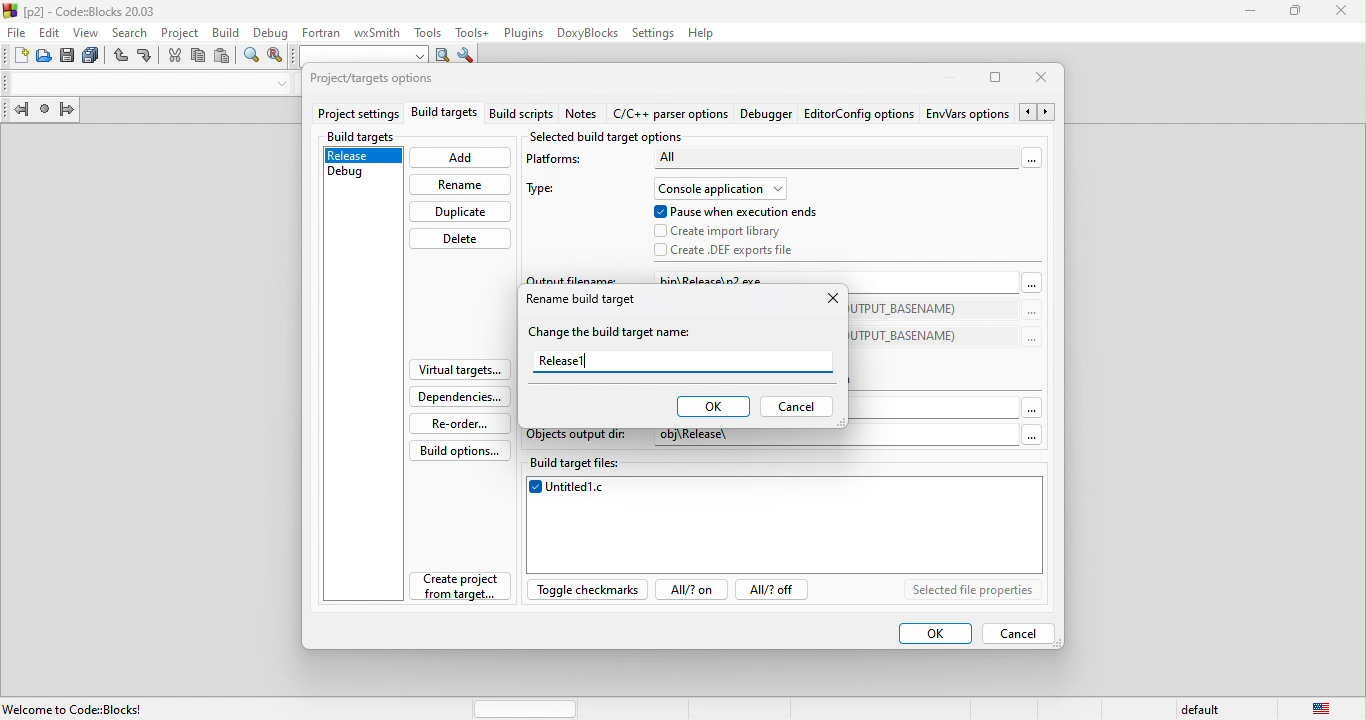  What do you see at coordinates (683, 362) in the screenshot?
I see `release1` at bounding box center [683, 362].